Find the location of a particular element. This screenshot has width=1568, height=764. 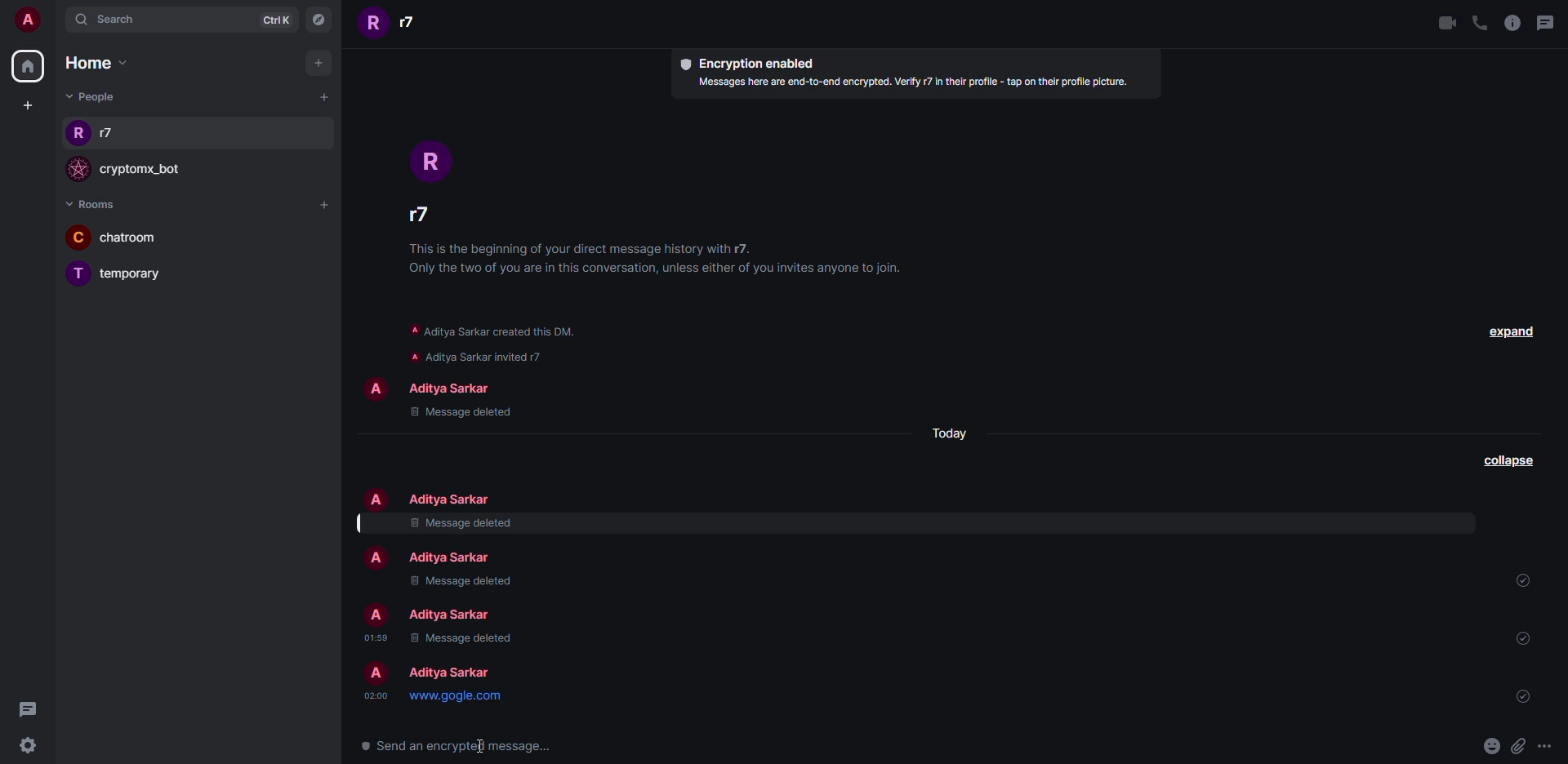

add is located at coordinates (326, 205).